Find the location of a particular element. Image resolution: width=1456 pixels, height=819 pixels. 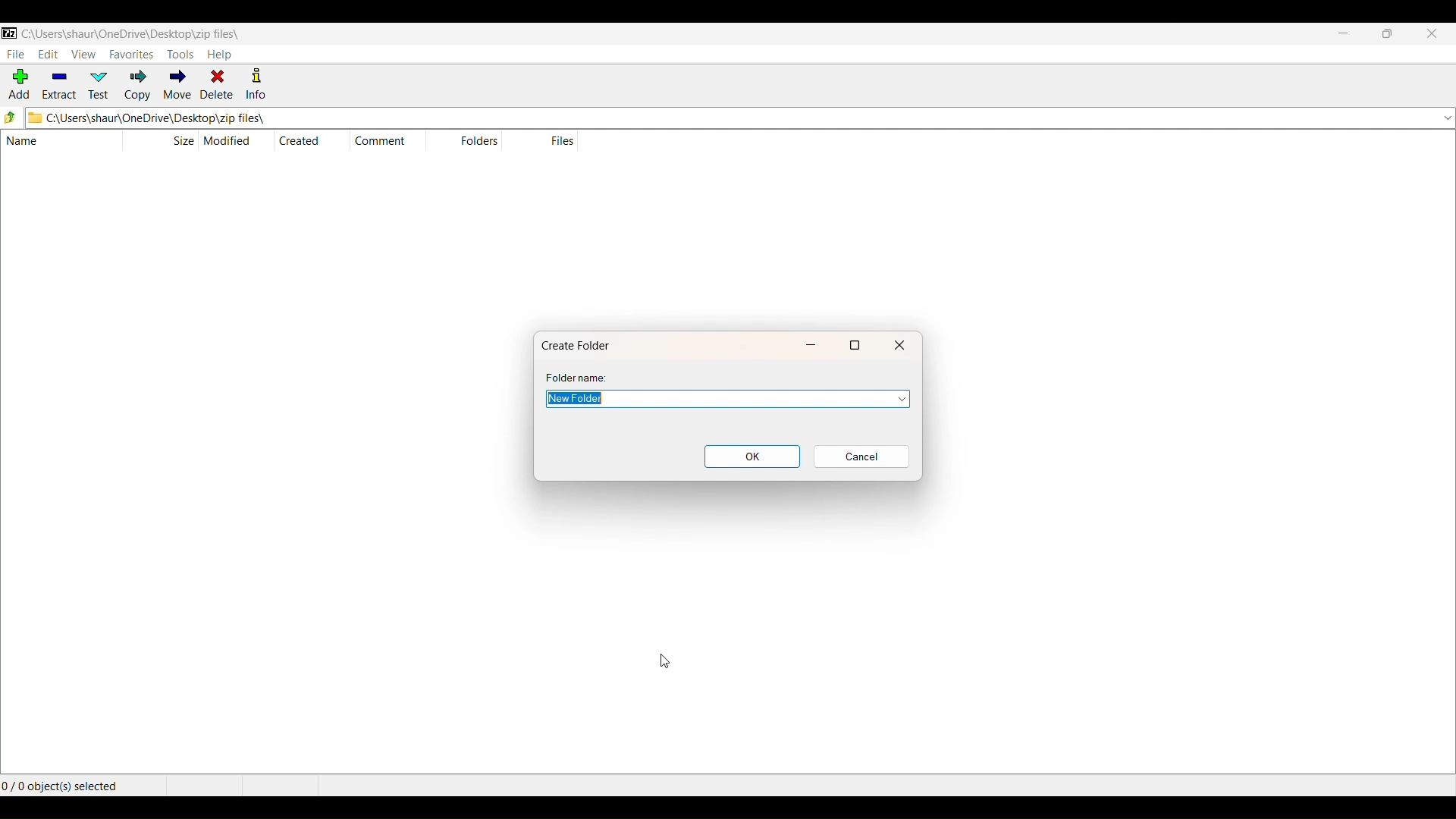

maximize is located at coordinates (856, 344).